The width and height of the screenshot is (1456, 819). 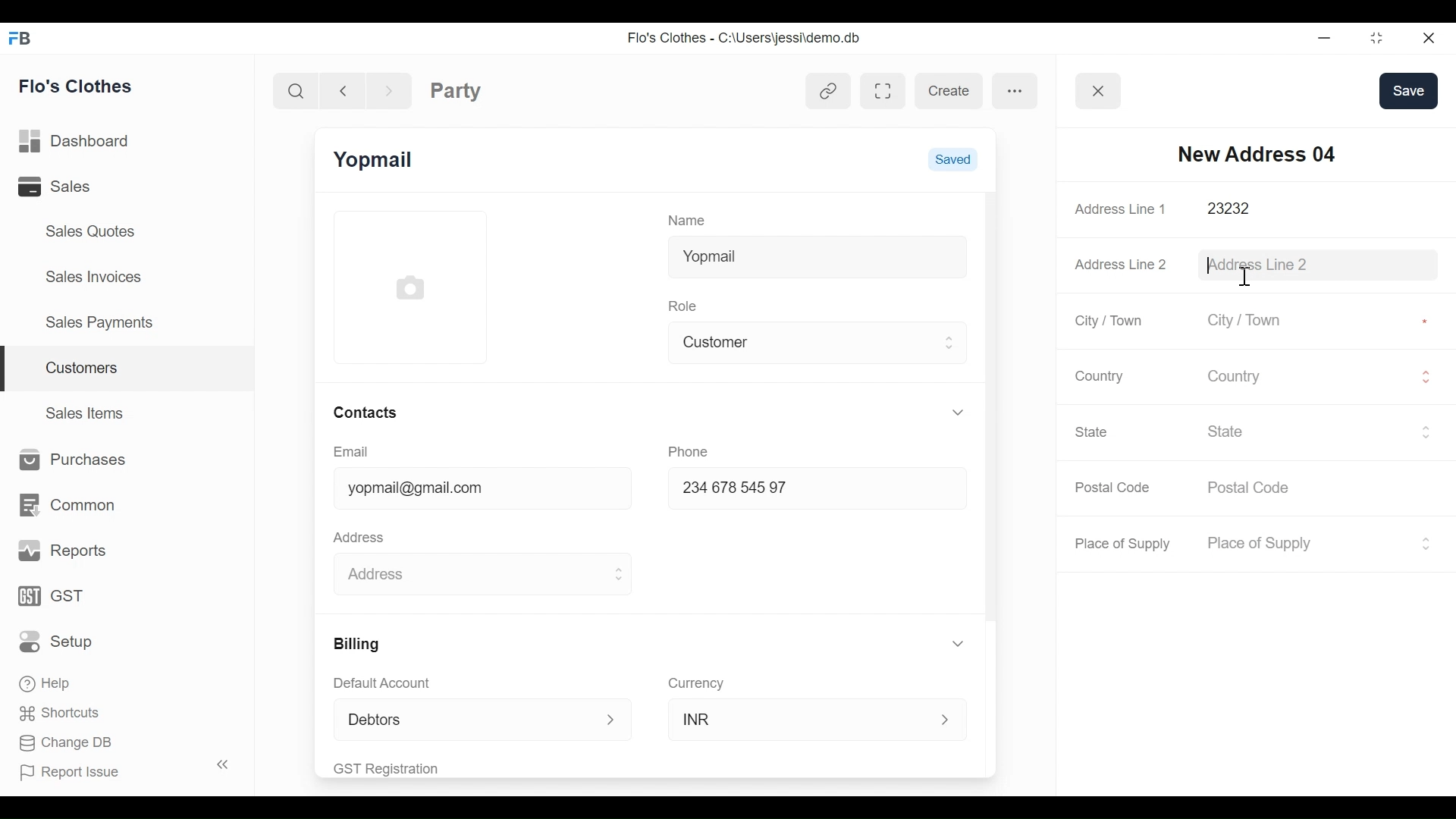 What do you see at coordinates (1122, 209) in the screenshot?
I see `Address Line 1` at bounding box center [1122, 209].